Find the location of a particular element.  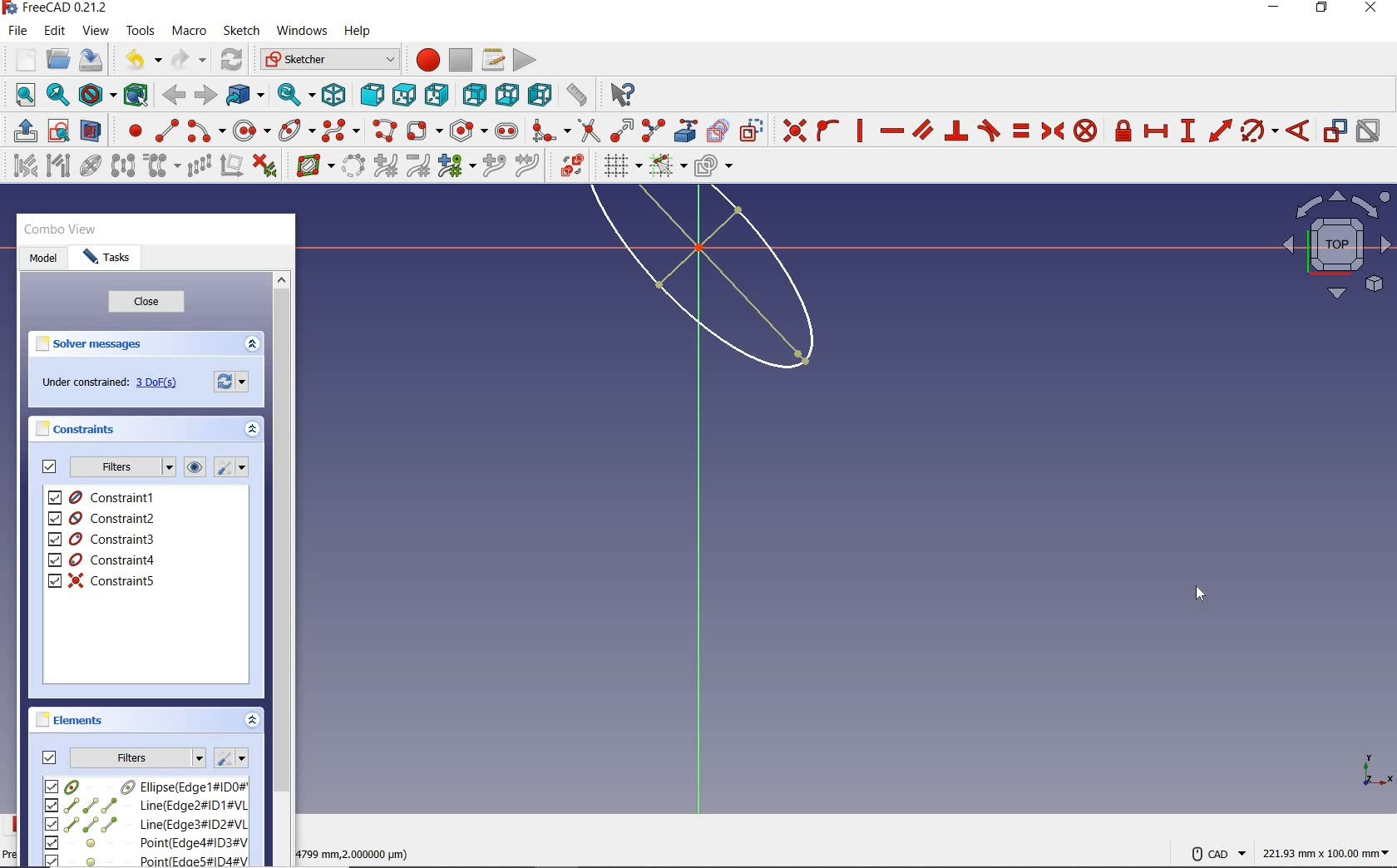

show/hide B-spline information layer is located at coordinates (311, 165).